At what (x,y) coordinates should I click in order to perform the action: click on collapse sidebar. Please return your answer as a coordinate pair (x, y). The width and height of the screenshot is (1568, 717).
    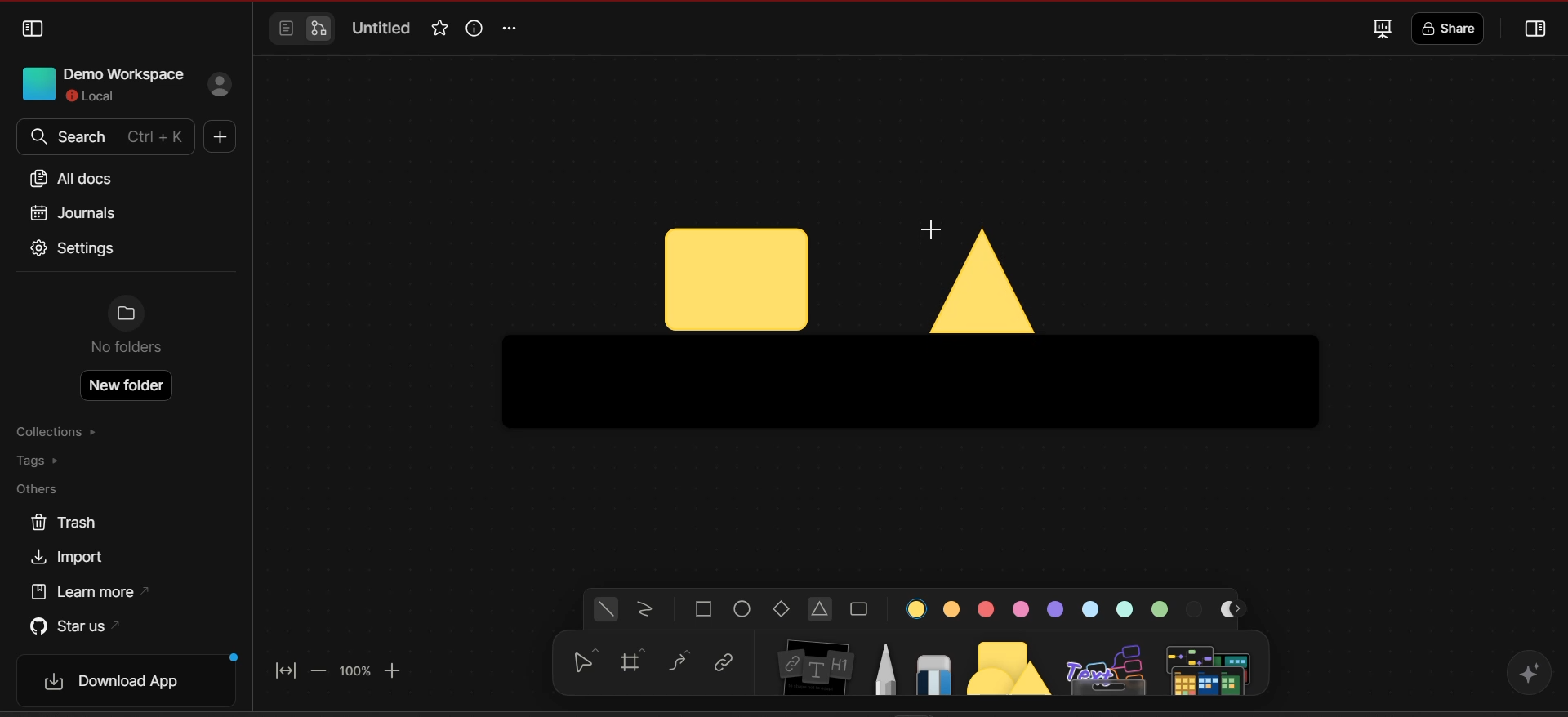
    Looking at the image, I should click on (33, 29).